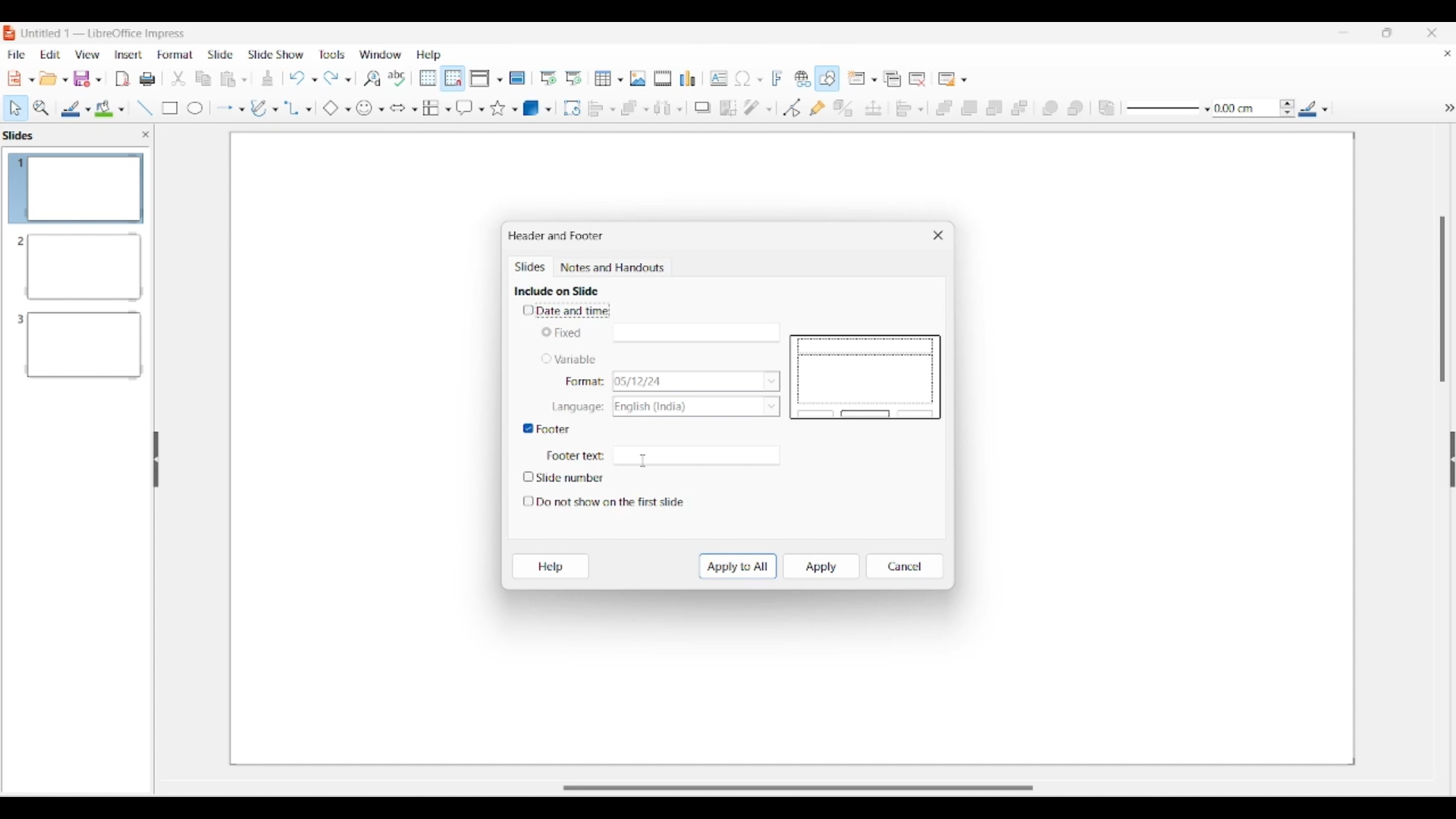 The height and width of the screenshot is (819, 1456). I want to click on File menu, so click(16, 55).